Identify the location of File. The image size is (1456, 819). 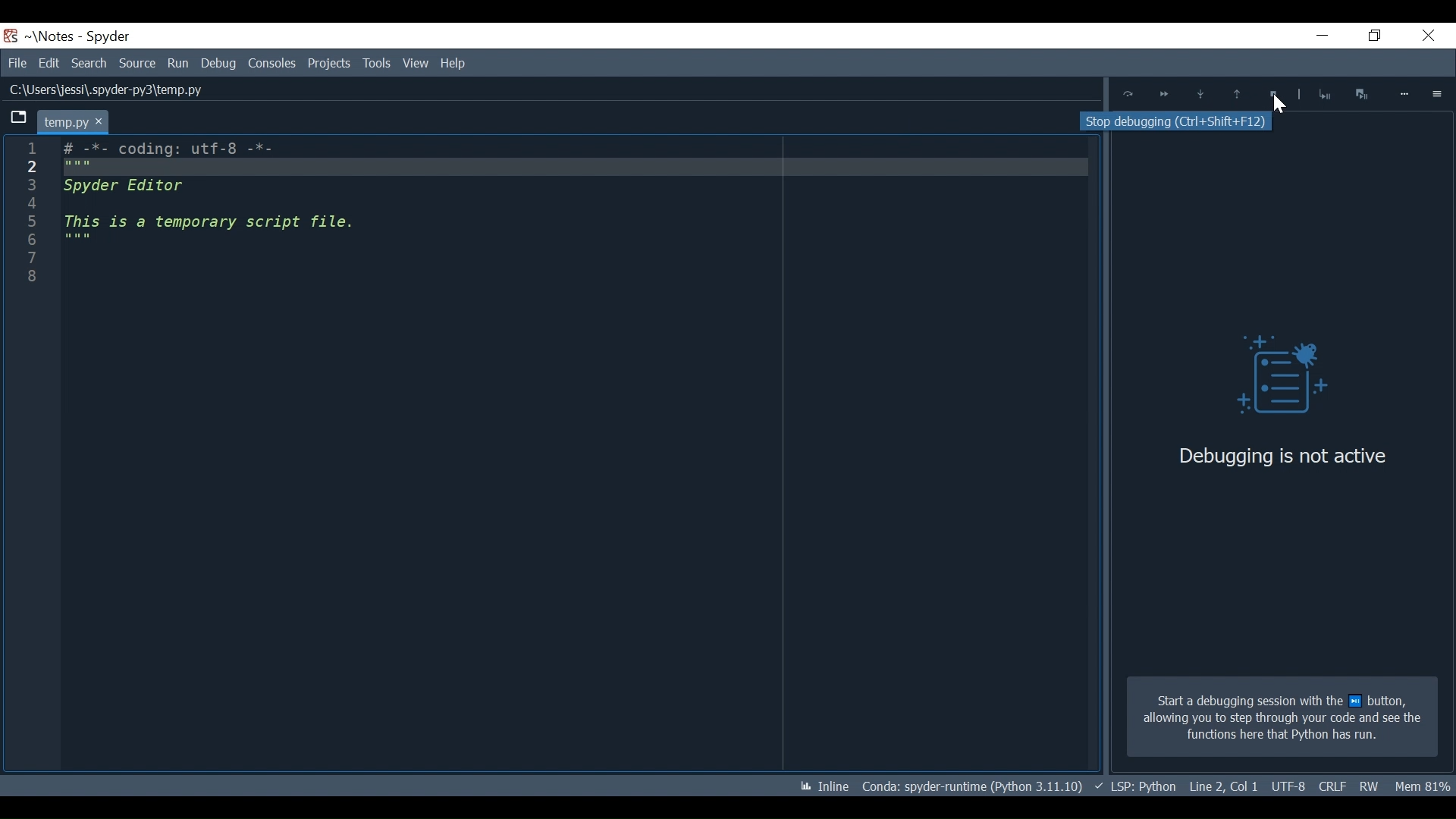
(17, 63).